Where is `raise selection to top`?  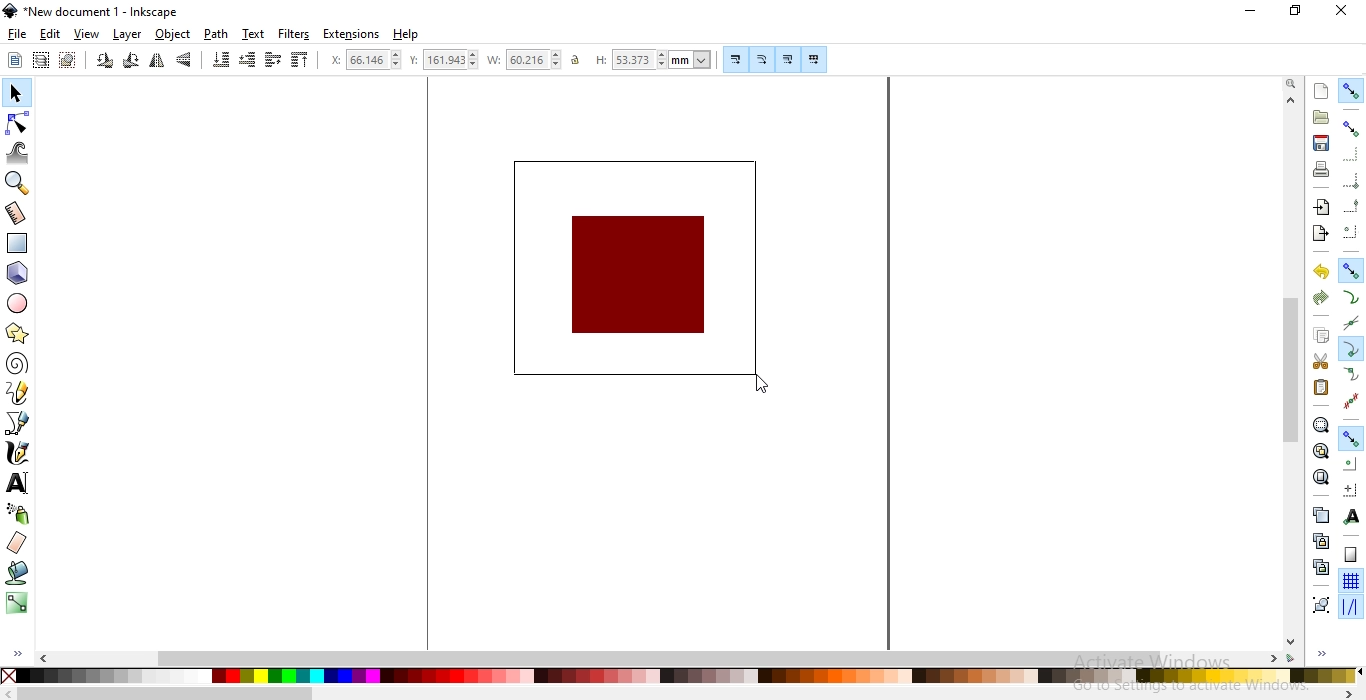
raise selection to top is located at coordinates (297, 61).